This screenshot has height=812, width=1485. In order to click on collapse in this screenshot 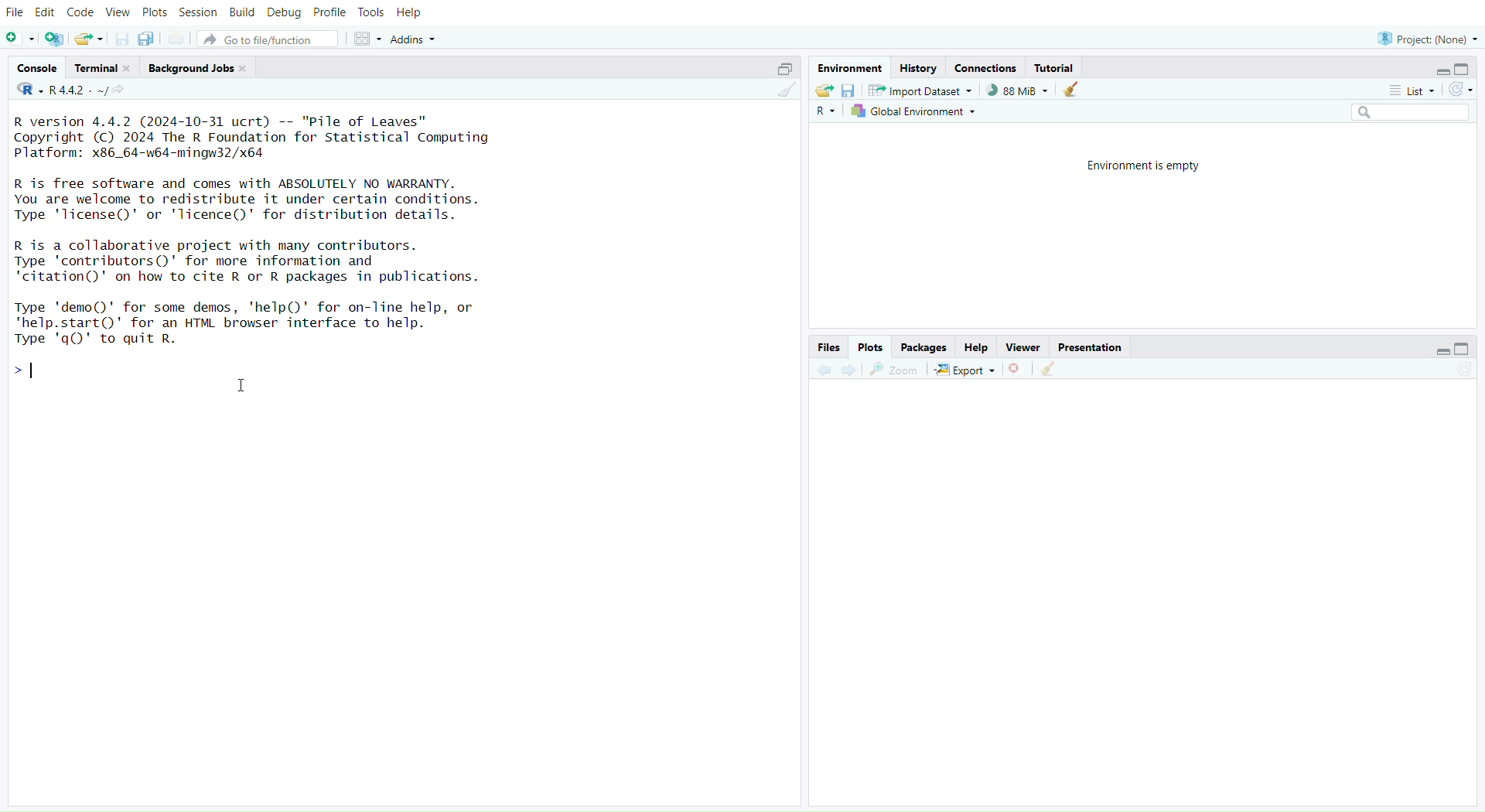, I will do `click(783, 69)`.